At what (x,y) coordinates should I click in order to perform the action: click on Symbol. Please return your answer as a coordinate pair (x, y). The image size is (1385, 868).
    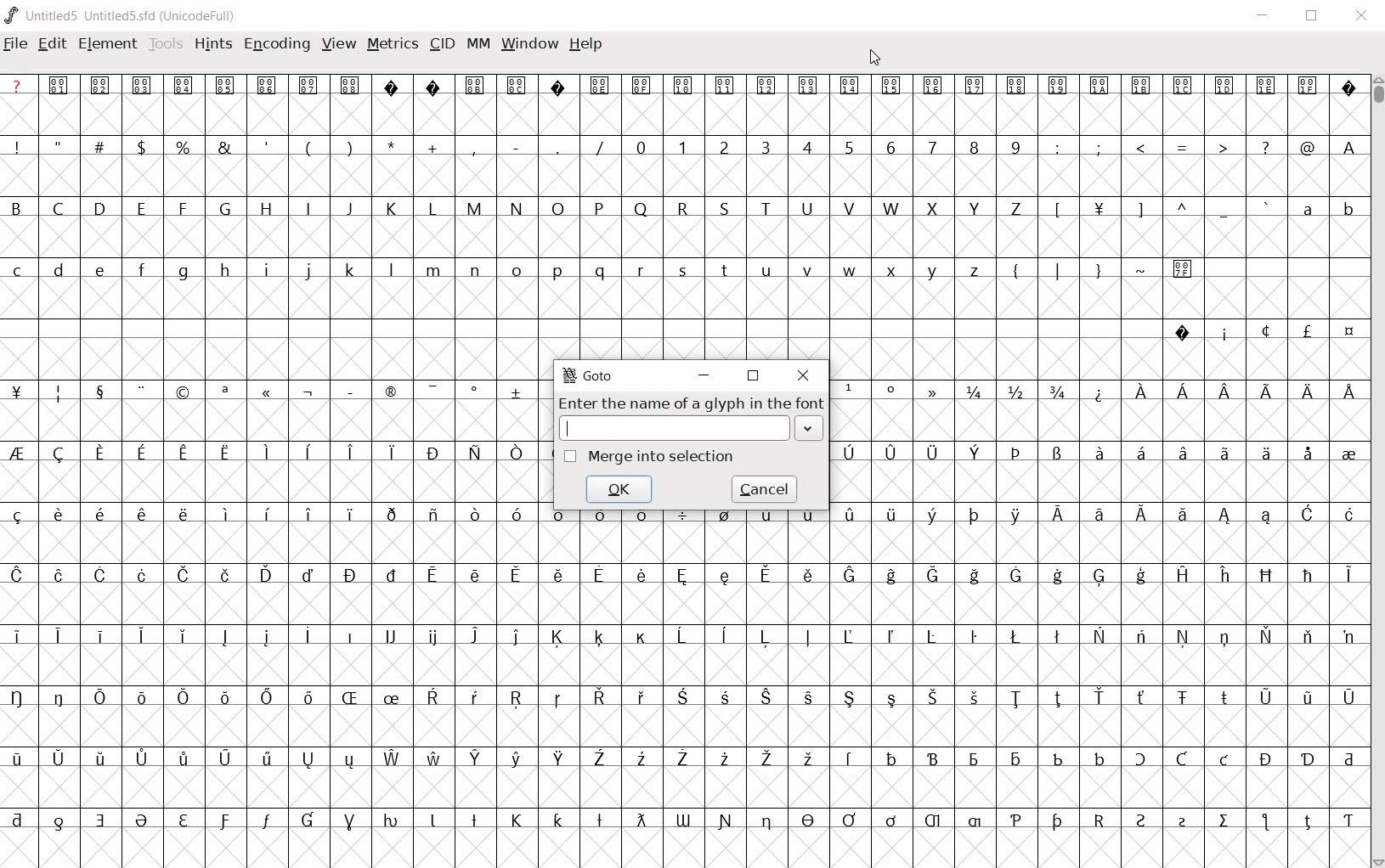
    Looking at the image, I should click on (1183, 821).